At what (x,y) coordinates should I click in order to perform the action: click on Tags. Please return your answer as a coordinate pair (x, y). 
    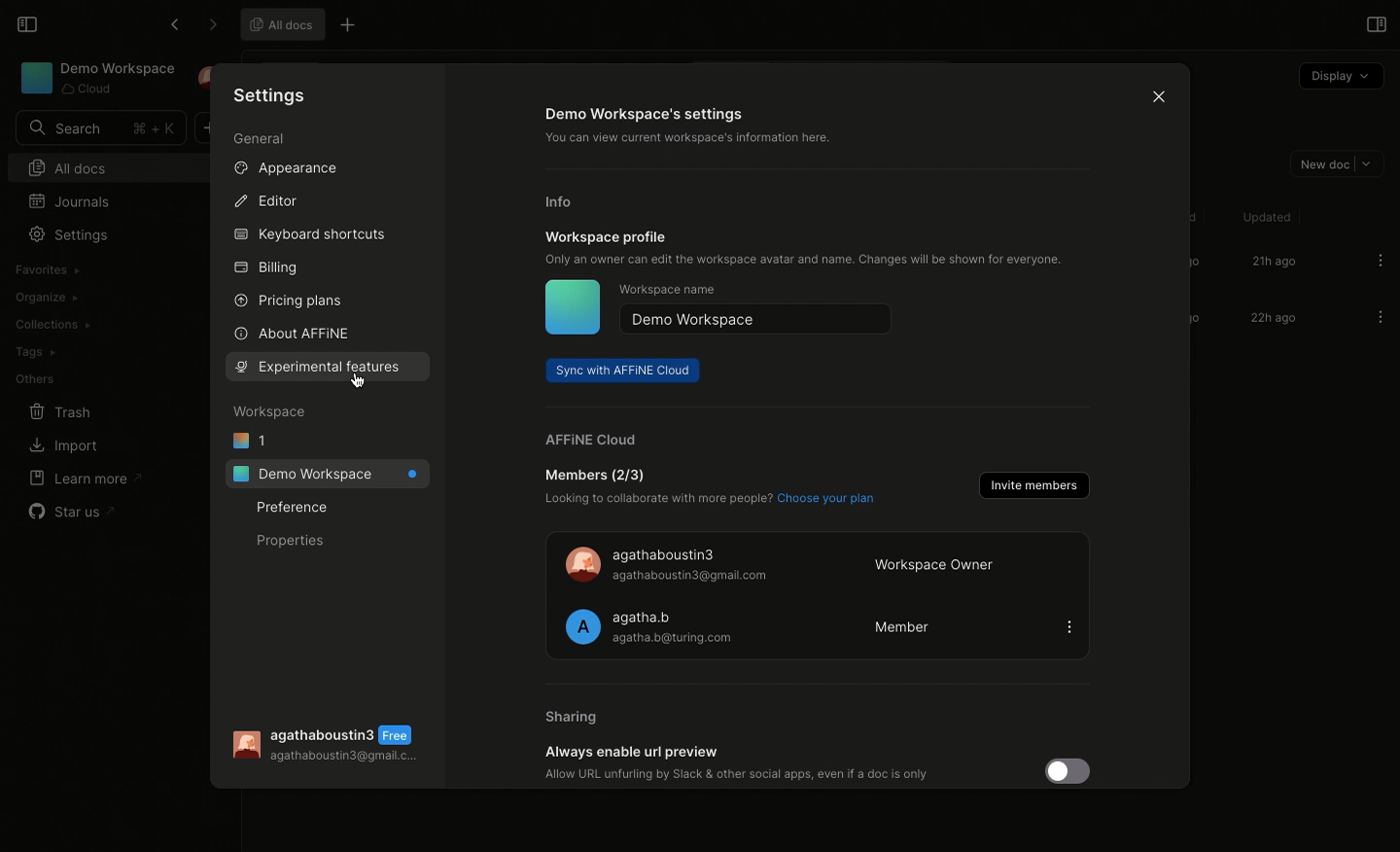
    Looking at the image, I should click on (34, 352).